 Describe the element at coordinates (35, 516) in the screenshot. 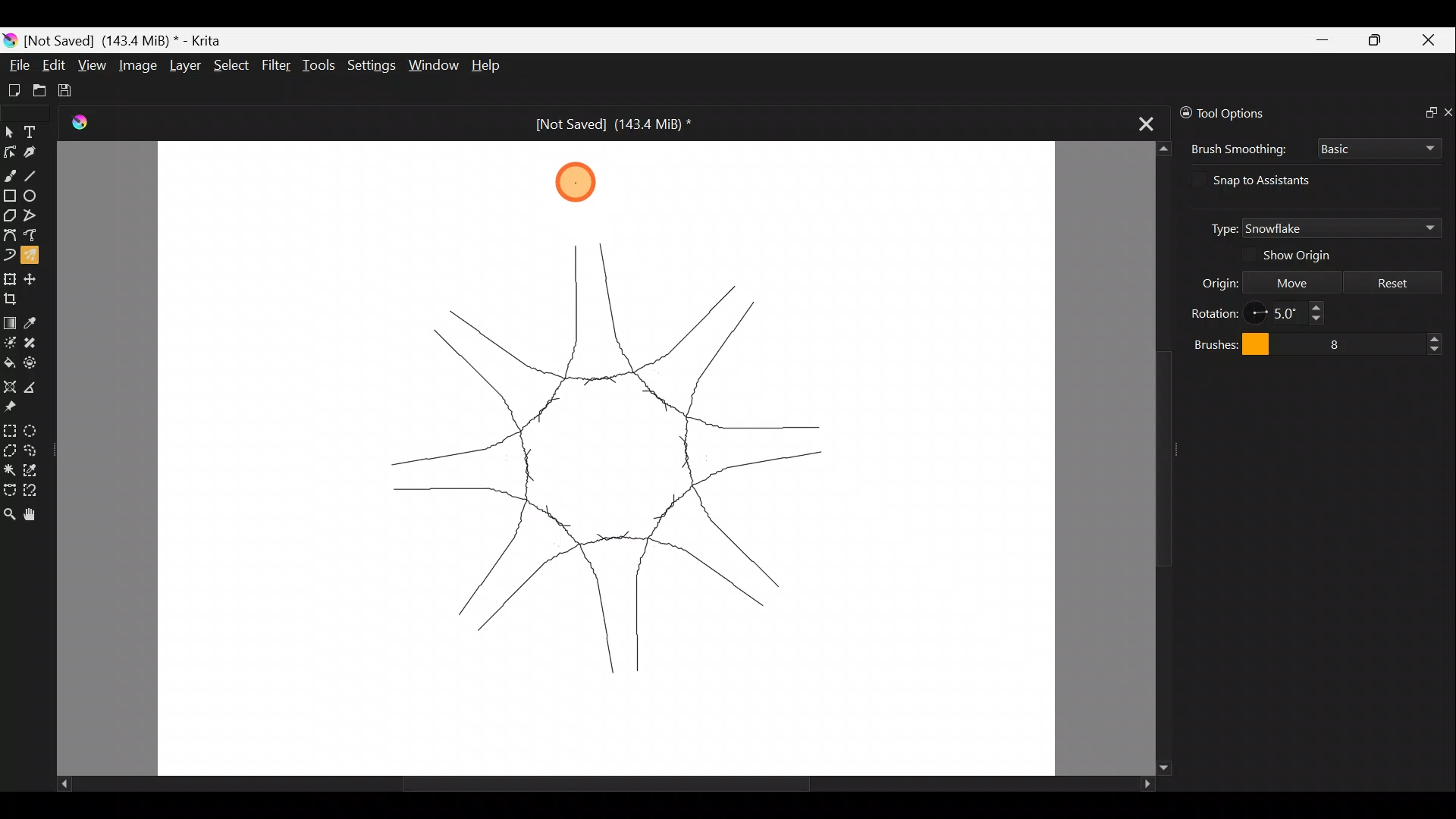

I see `Pan tool` at that location.